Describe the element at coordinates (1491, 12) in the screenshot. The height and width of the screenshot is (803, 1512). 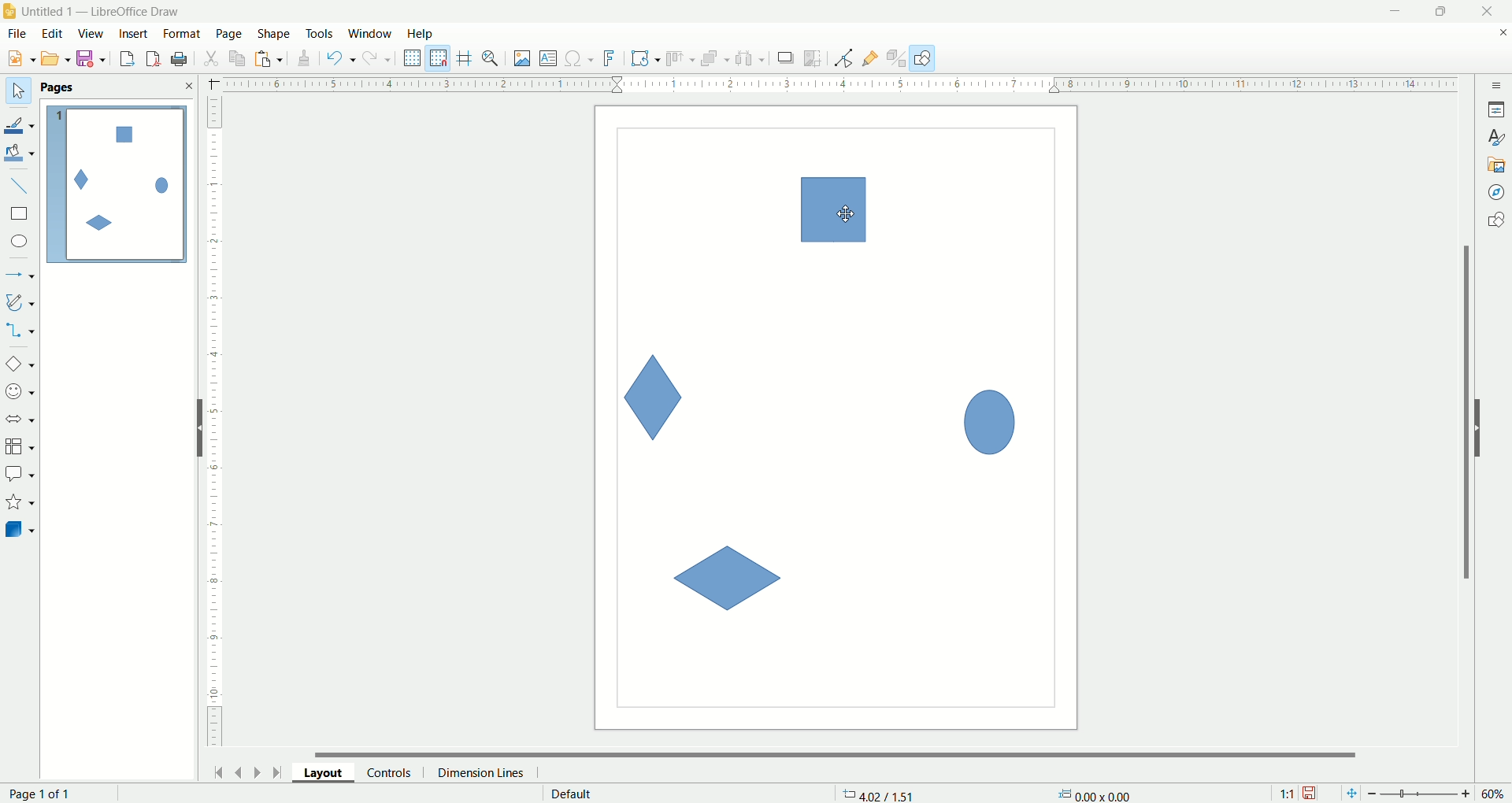
I see `close` at that location.